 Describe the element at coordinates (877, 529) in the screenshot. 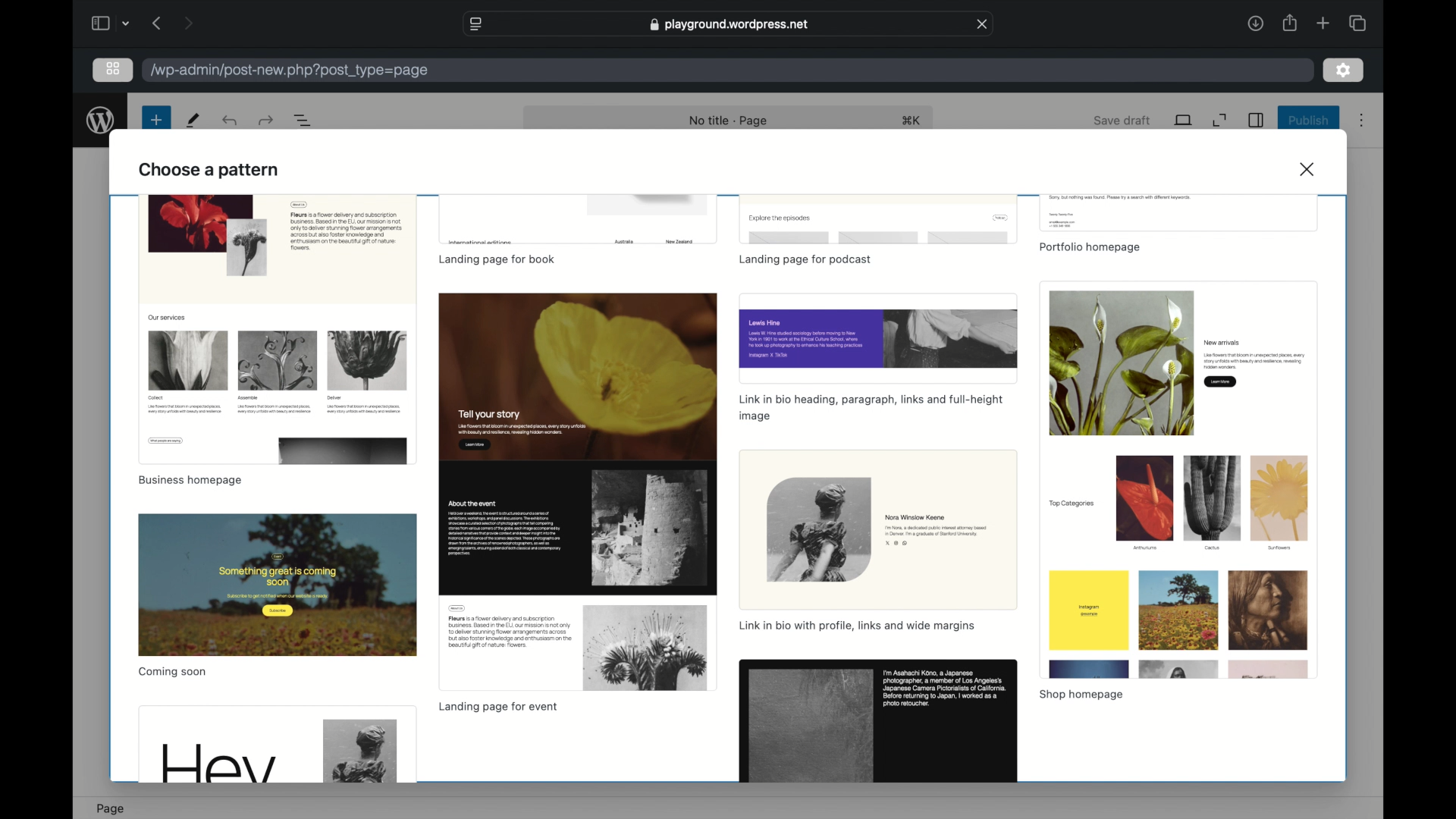

I see `preview` at that location.